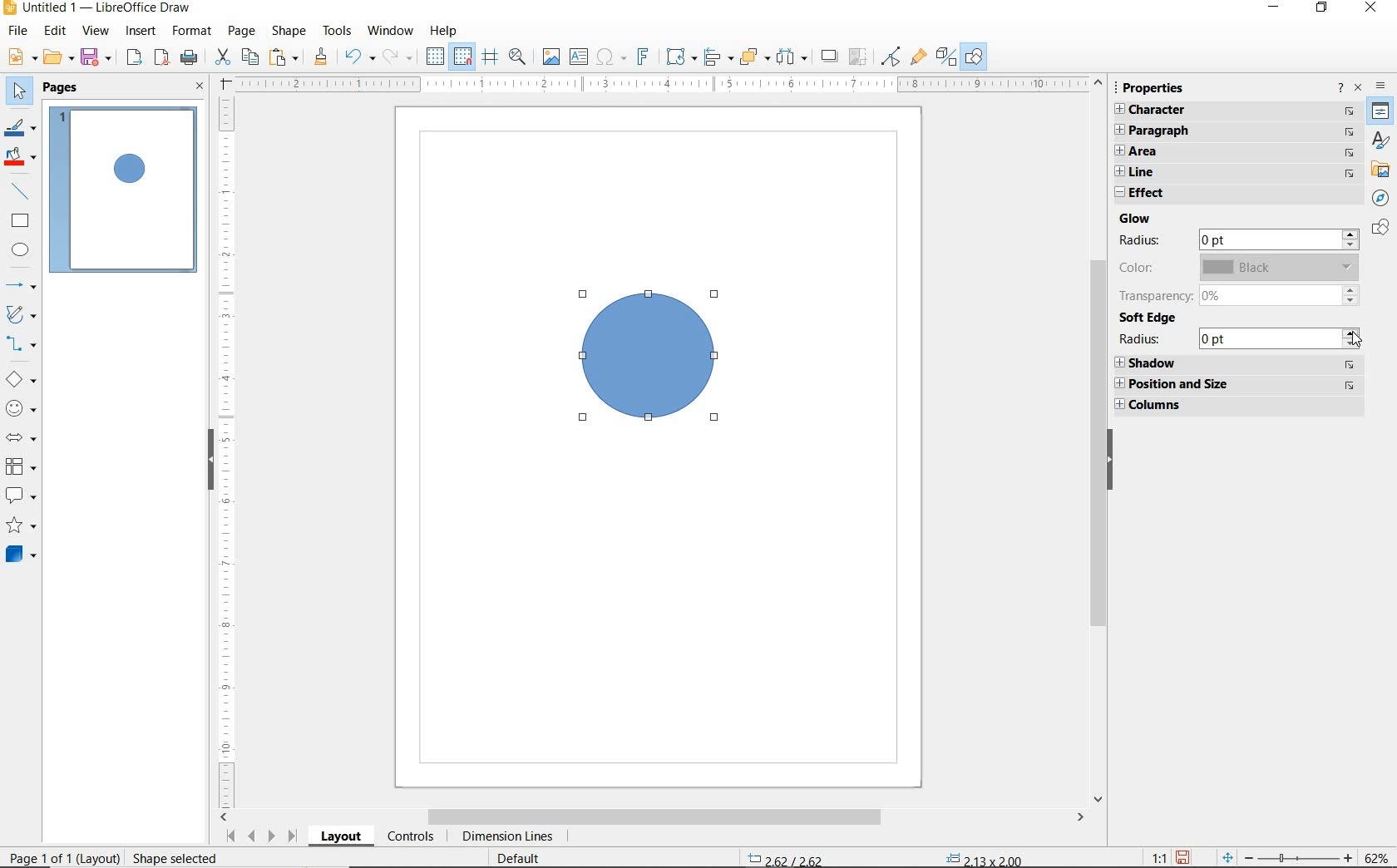  I want to click on POSITION AND SIZE, so click(1237, 384).